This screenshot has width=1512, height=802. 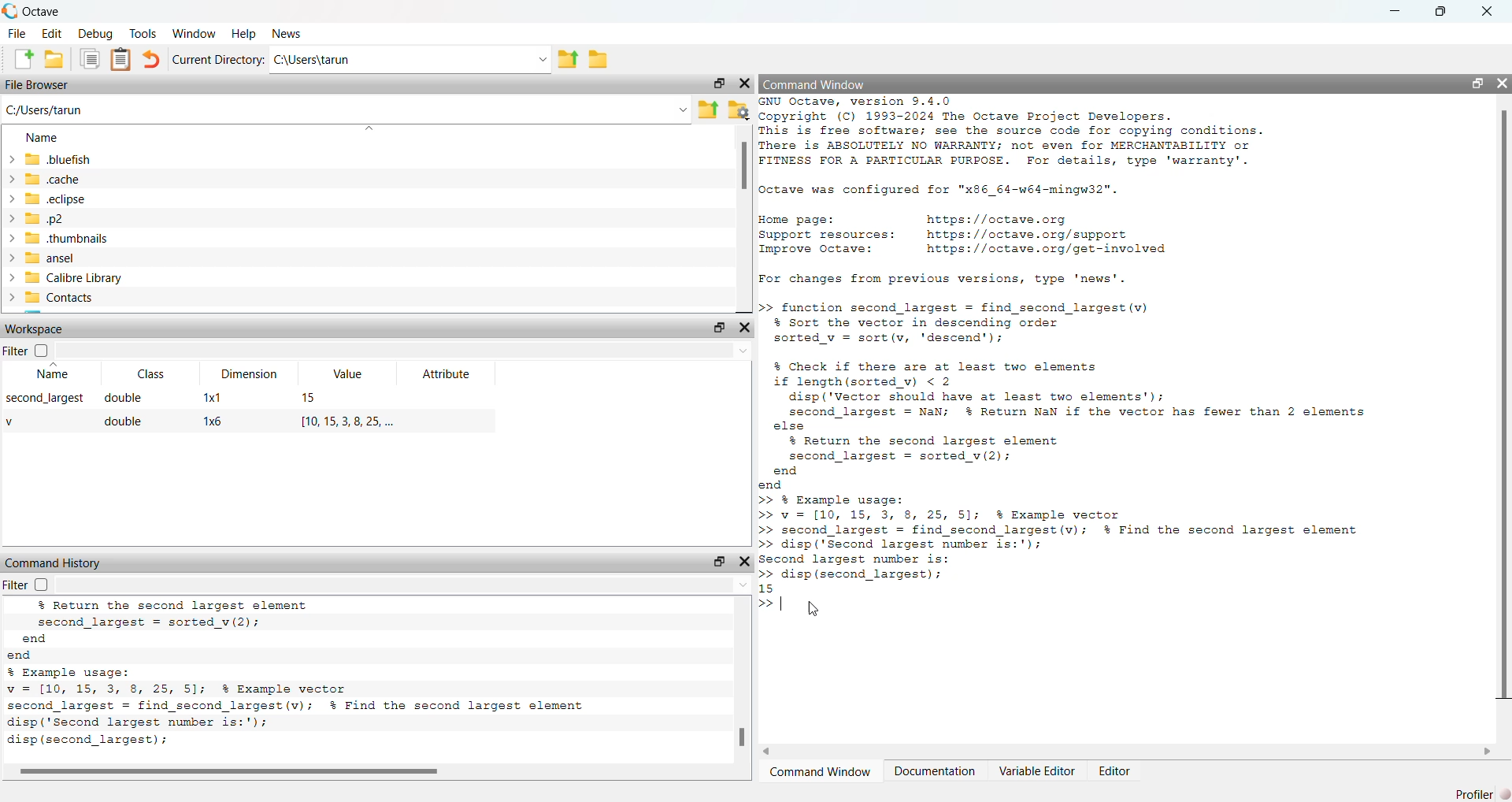 I want to click on contacts, so click(x=75, y=300).